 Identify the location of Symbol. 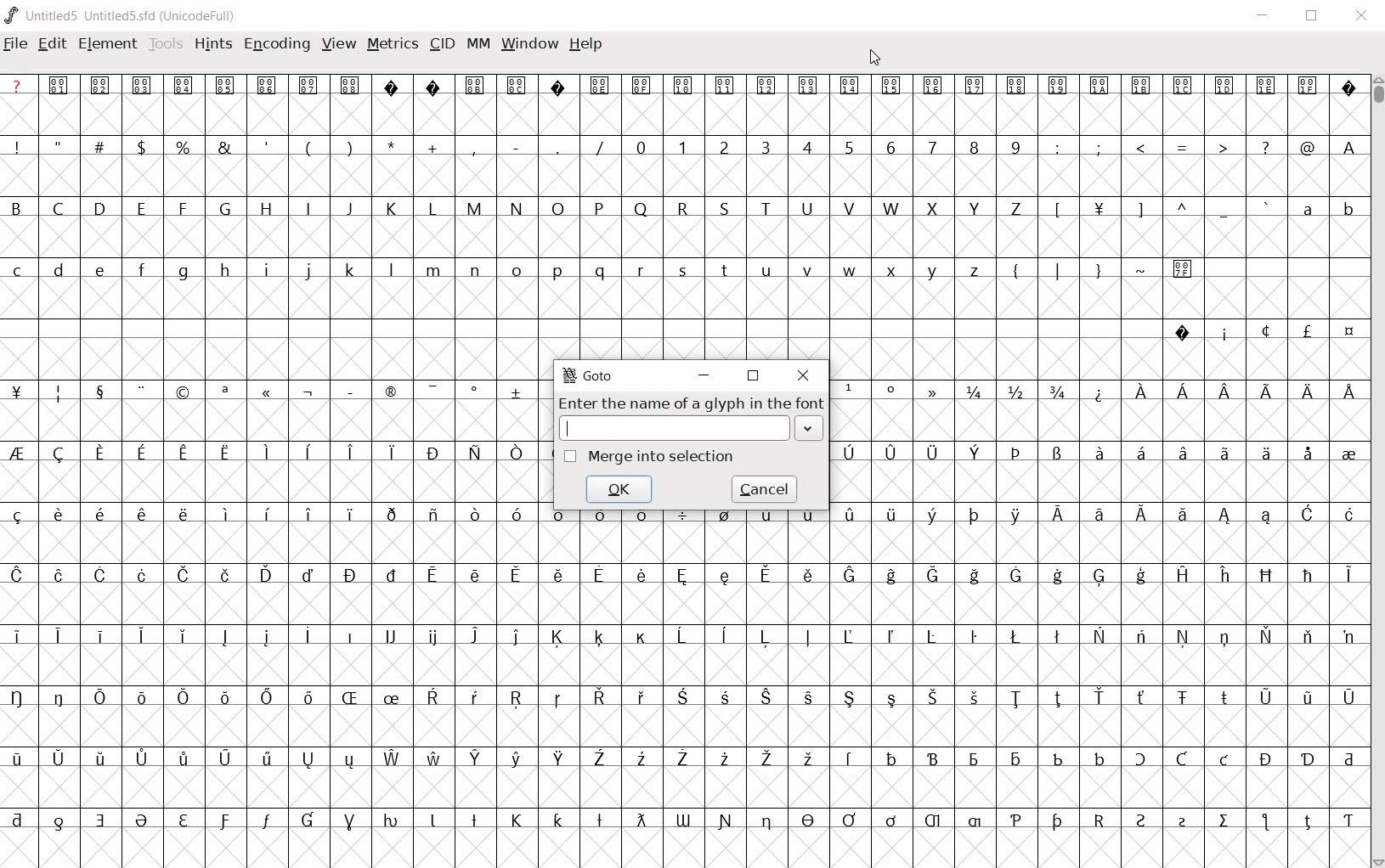
(517, 84).